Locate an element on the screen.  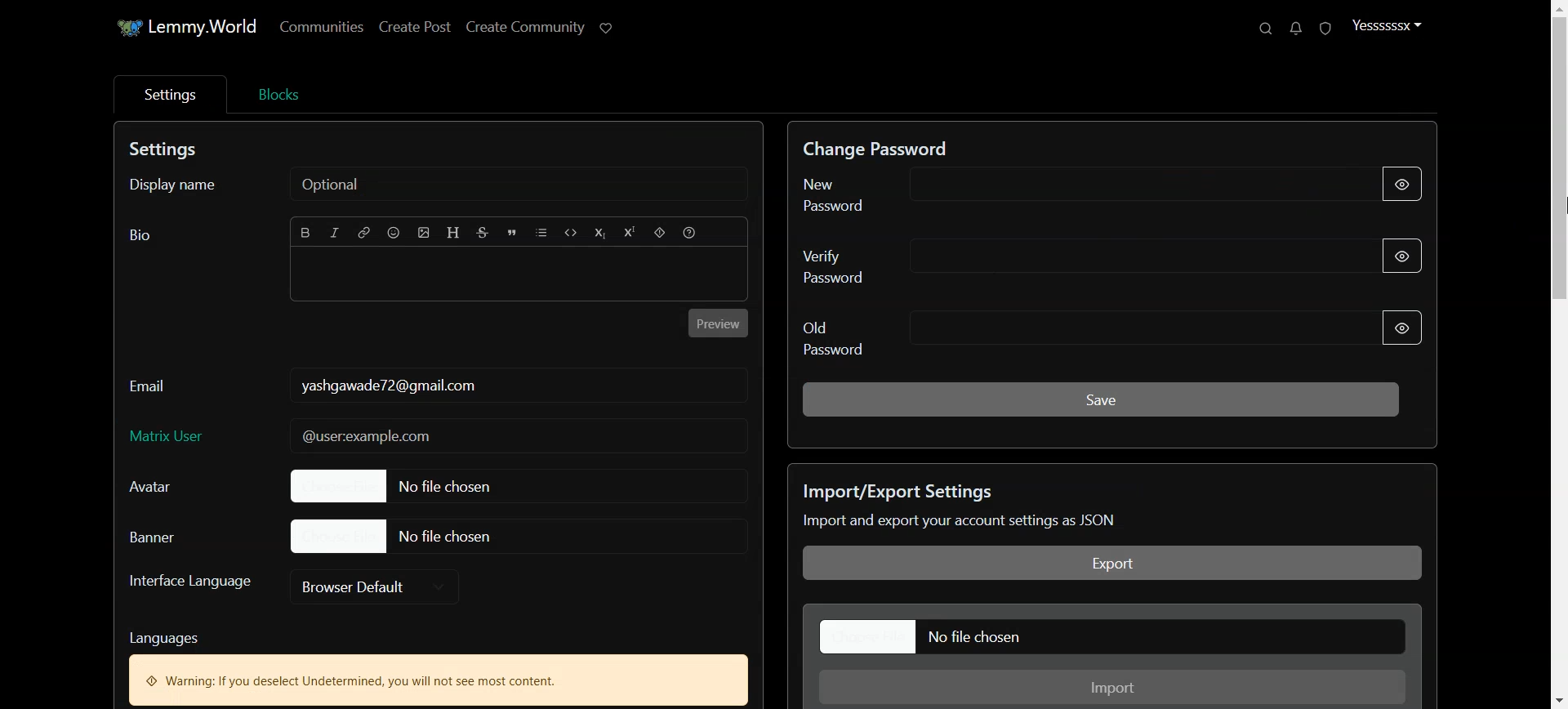
Strikethrough is located at coordinates (483, 233).